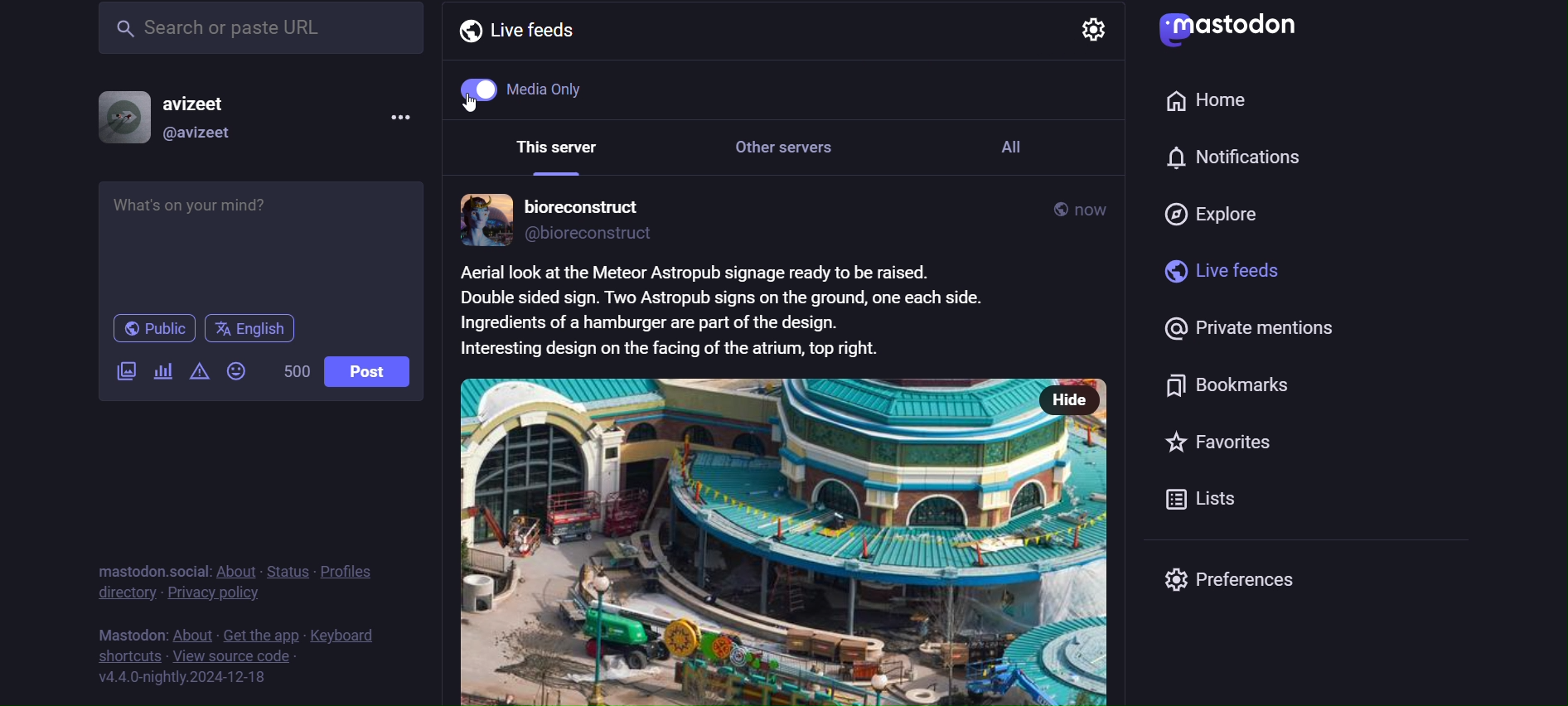 The image size is (1568, 706). Describe the element at coordinates (123, 658) in the screenshot. I see `shortcuts` at that location.